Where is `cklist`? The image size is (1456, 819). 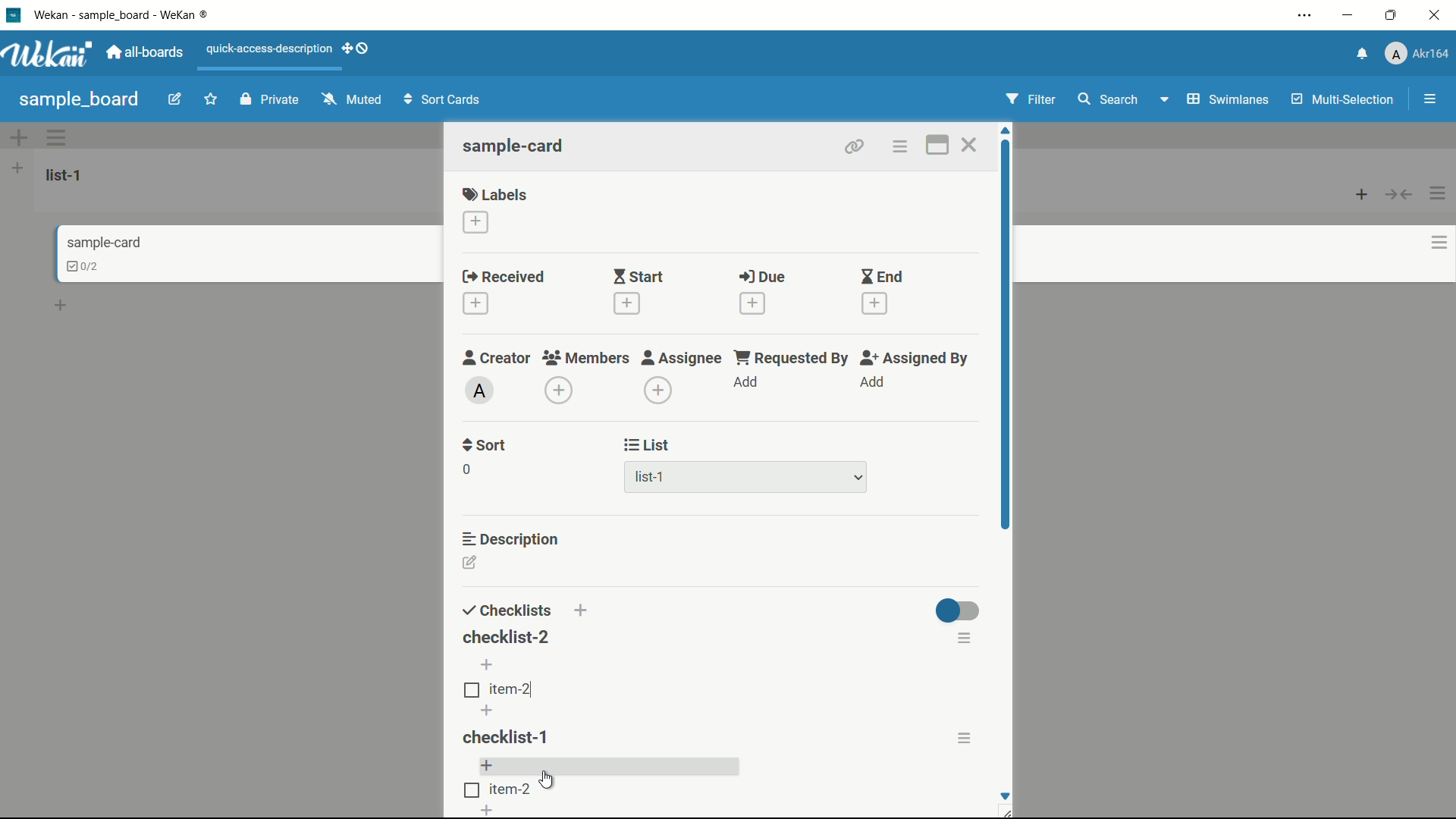 cklist is located at coordinates (84, 266).